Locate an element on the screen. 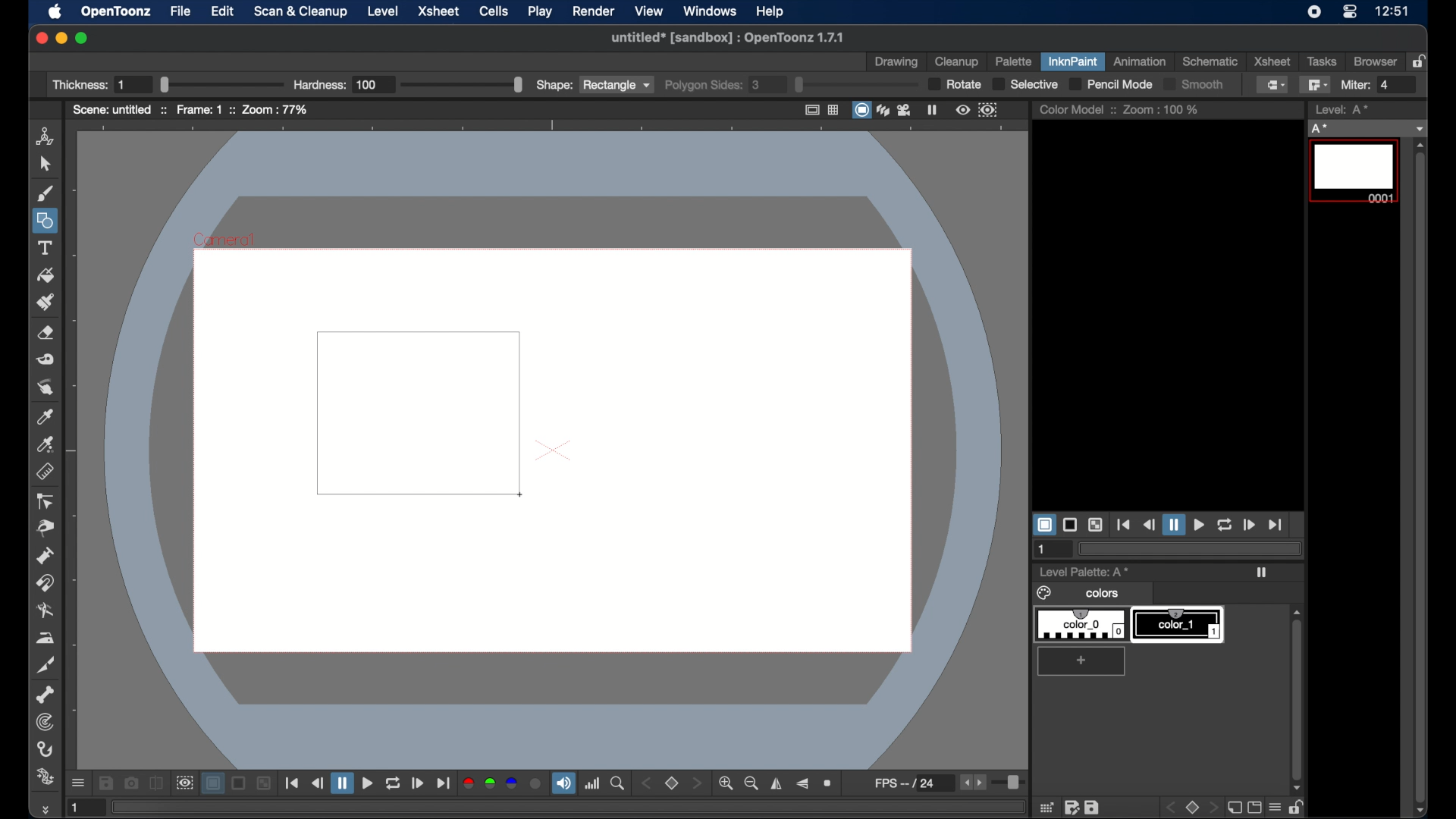 The width and height of the screenshot is (1456, 819). forward is located at coordinates (1248, 524).